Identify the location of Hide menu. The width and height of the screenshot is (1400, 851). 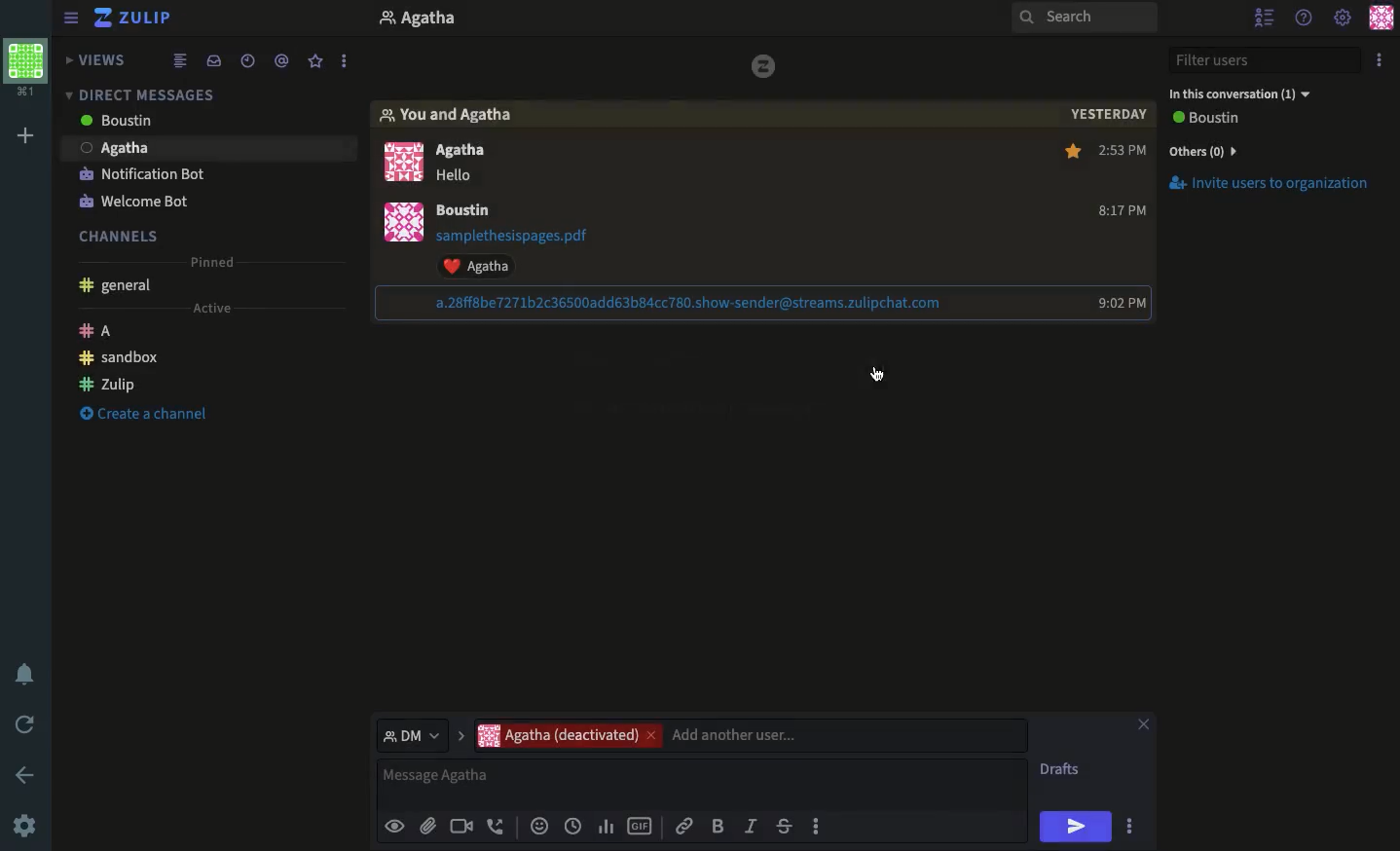
(71, 16).